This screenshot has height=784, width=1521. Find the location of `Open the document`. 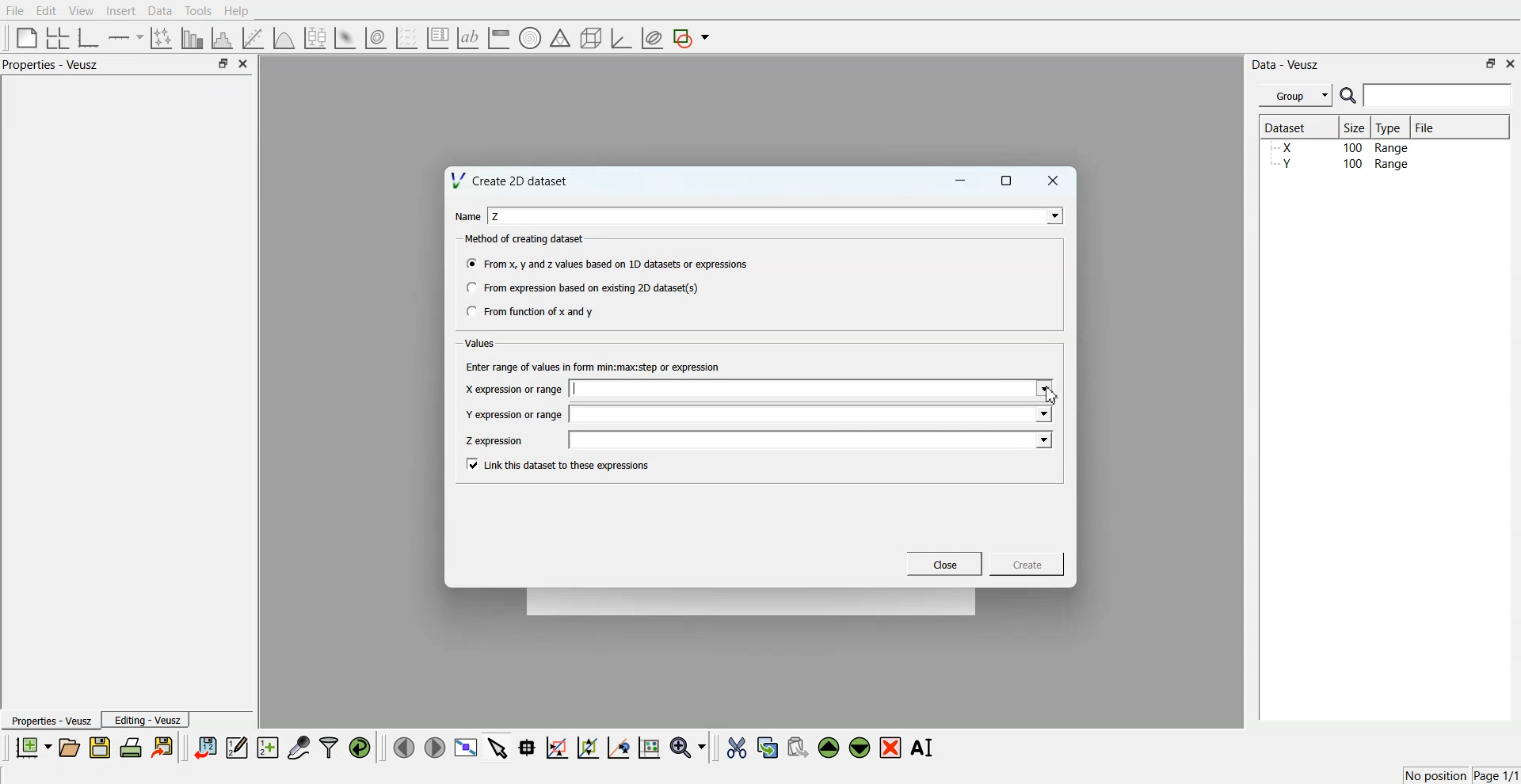

Open the document is located at coordinates (68, 748).